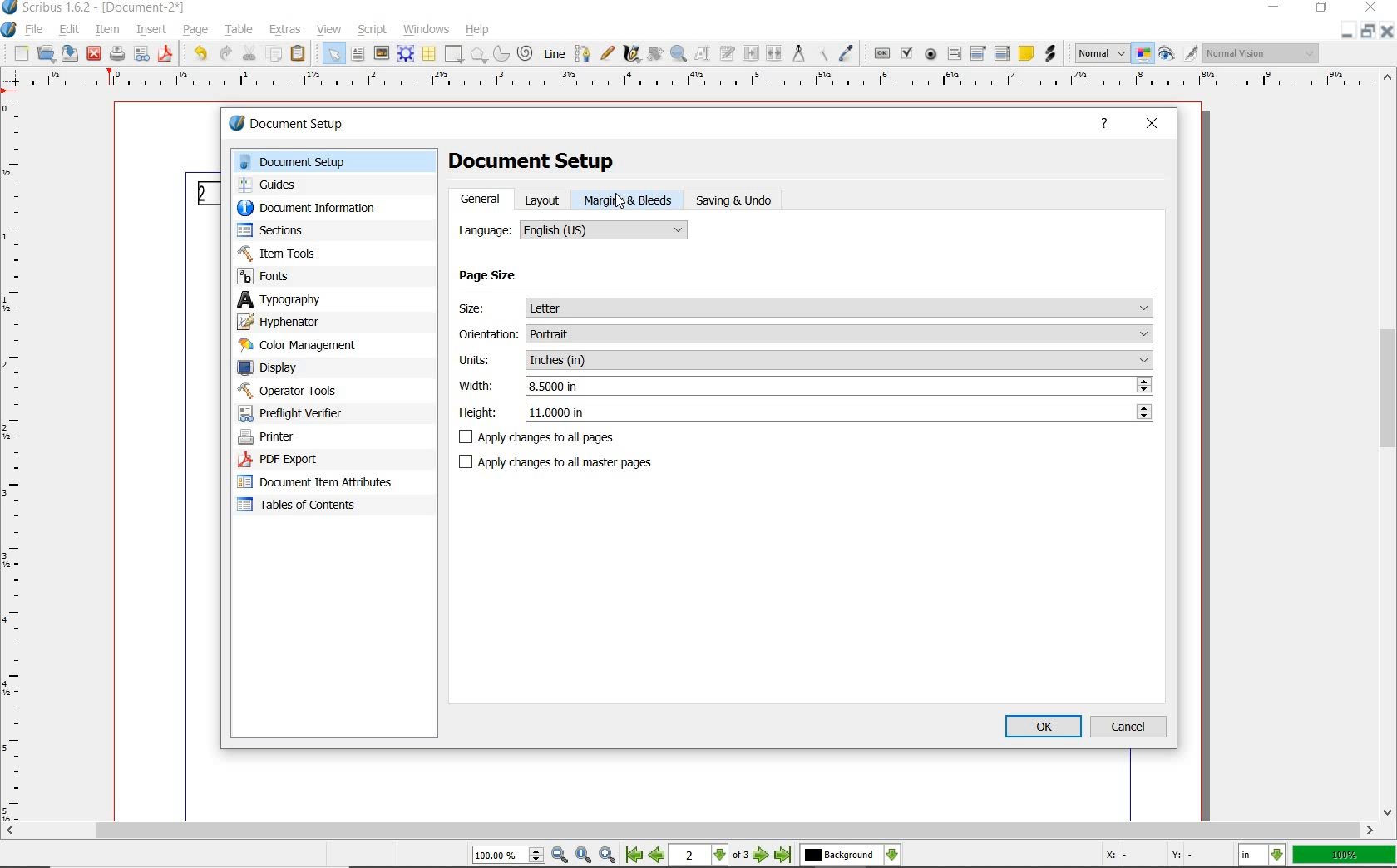 The width and height of the screenshot is (1397, 868). What do you see at coordinates (608, 54) in the screenshot?
I see `freehand line` at bounding box center [608, 54].